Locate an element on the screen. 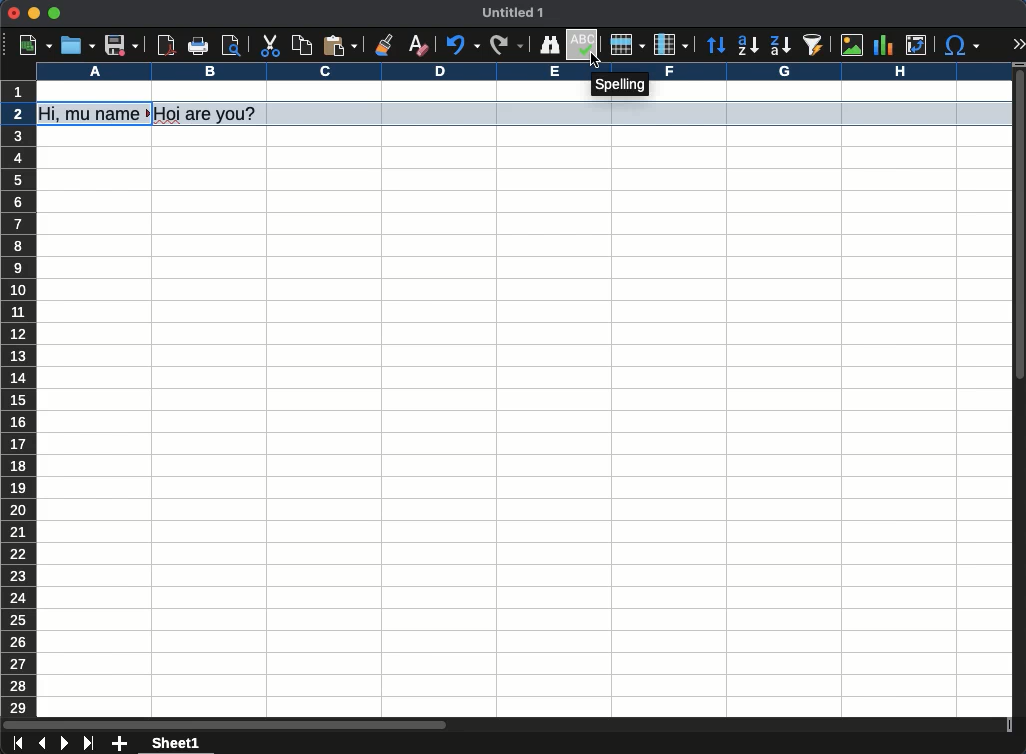  cut is located at coordinates (269, 46).